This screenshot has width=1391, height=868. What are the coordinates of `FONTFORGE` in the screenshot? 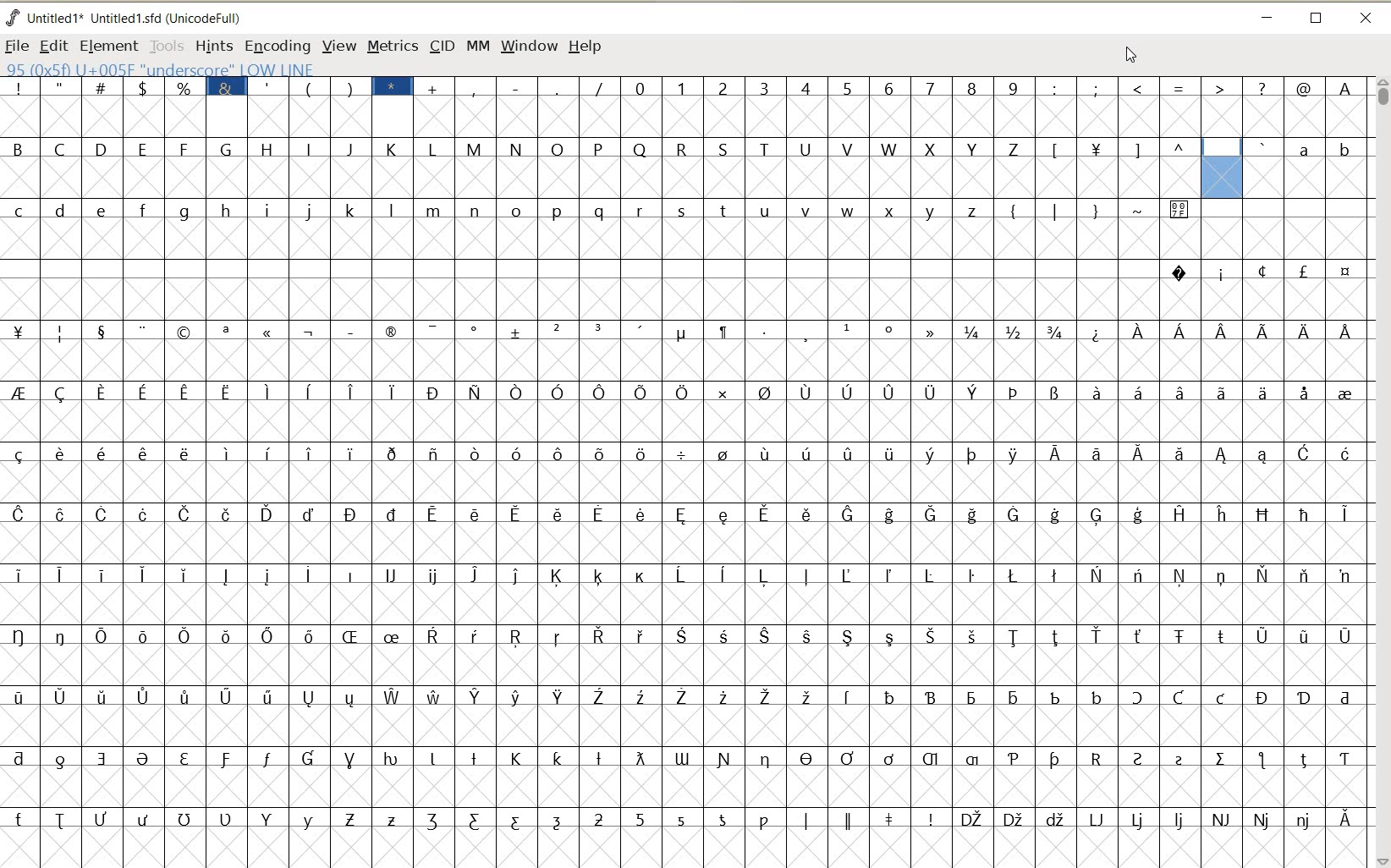 It's located at (13, 17).